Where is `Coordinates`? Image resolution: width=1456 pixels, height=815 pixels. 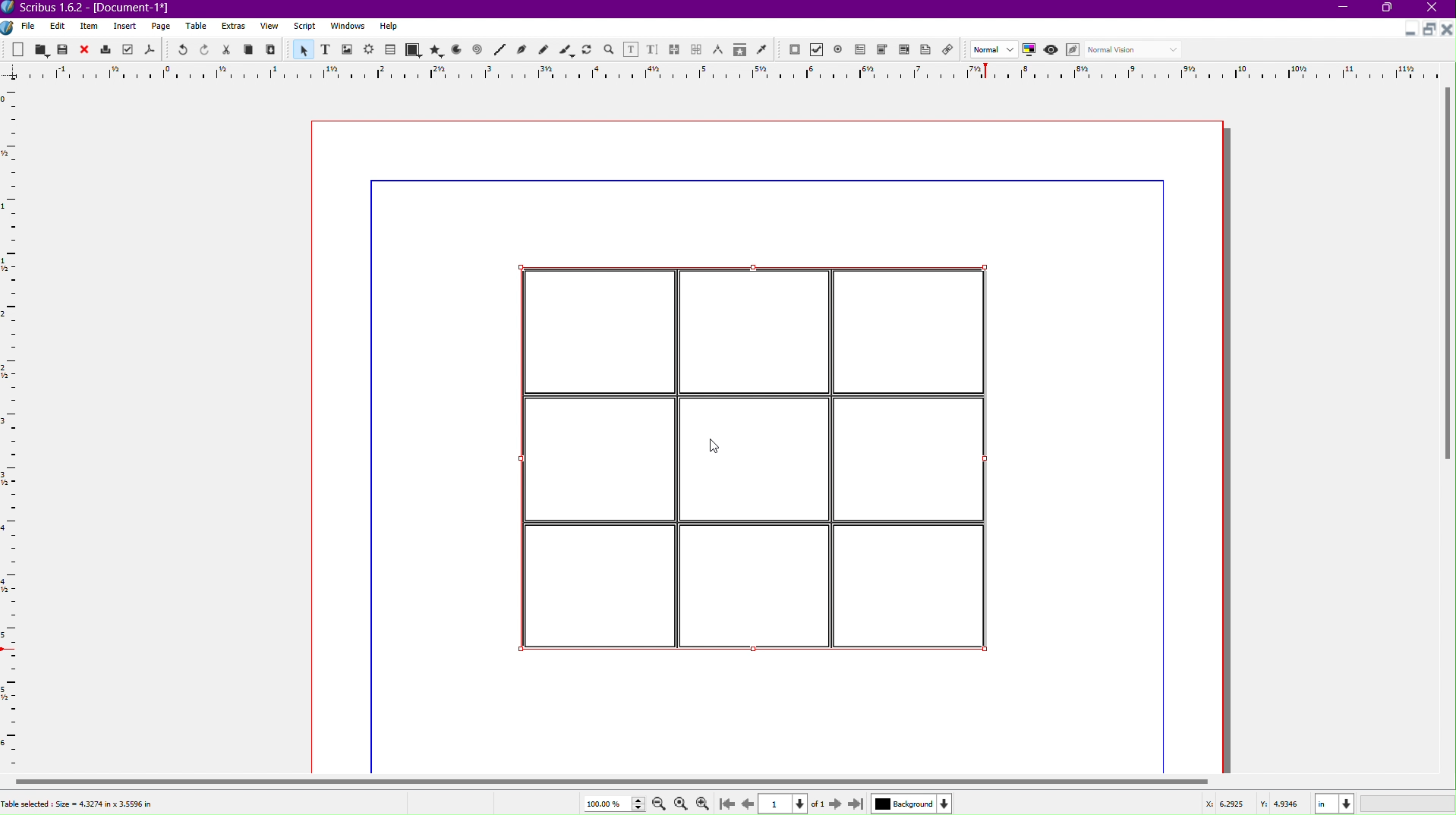 Coordinates is located at coordinates (1325, 802).